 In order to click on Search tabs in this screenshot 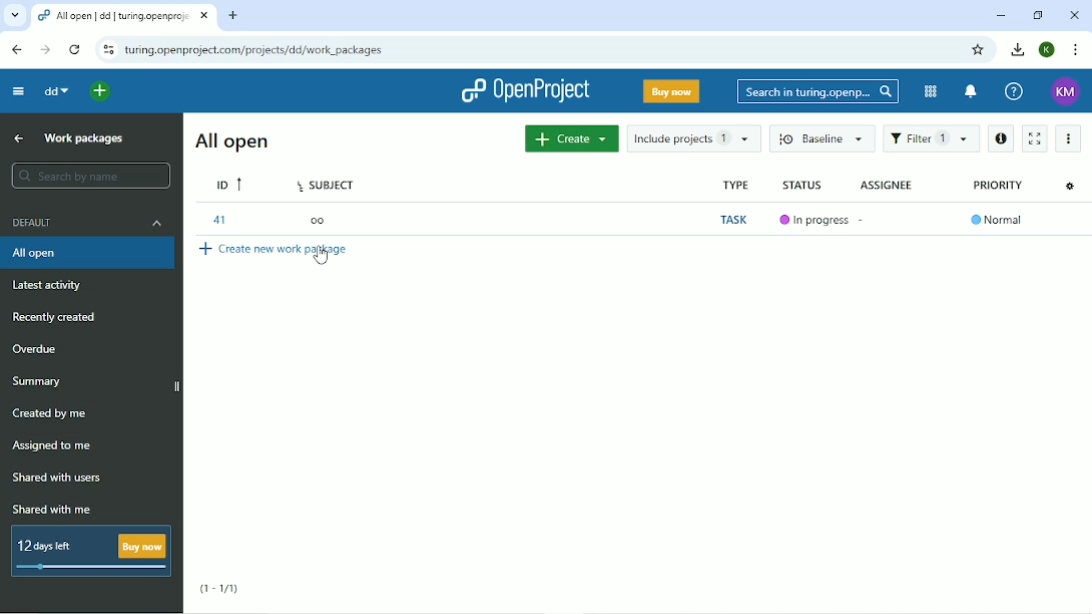, I will do `click(14, 15)`.